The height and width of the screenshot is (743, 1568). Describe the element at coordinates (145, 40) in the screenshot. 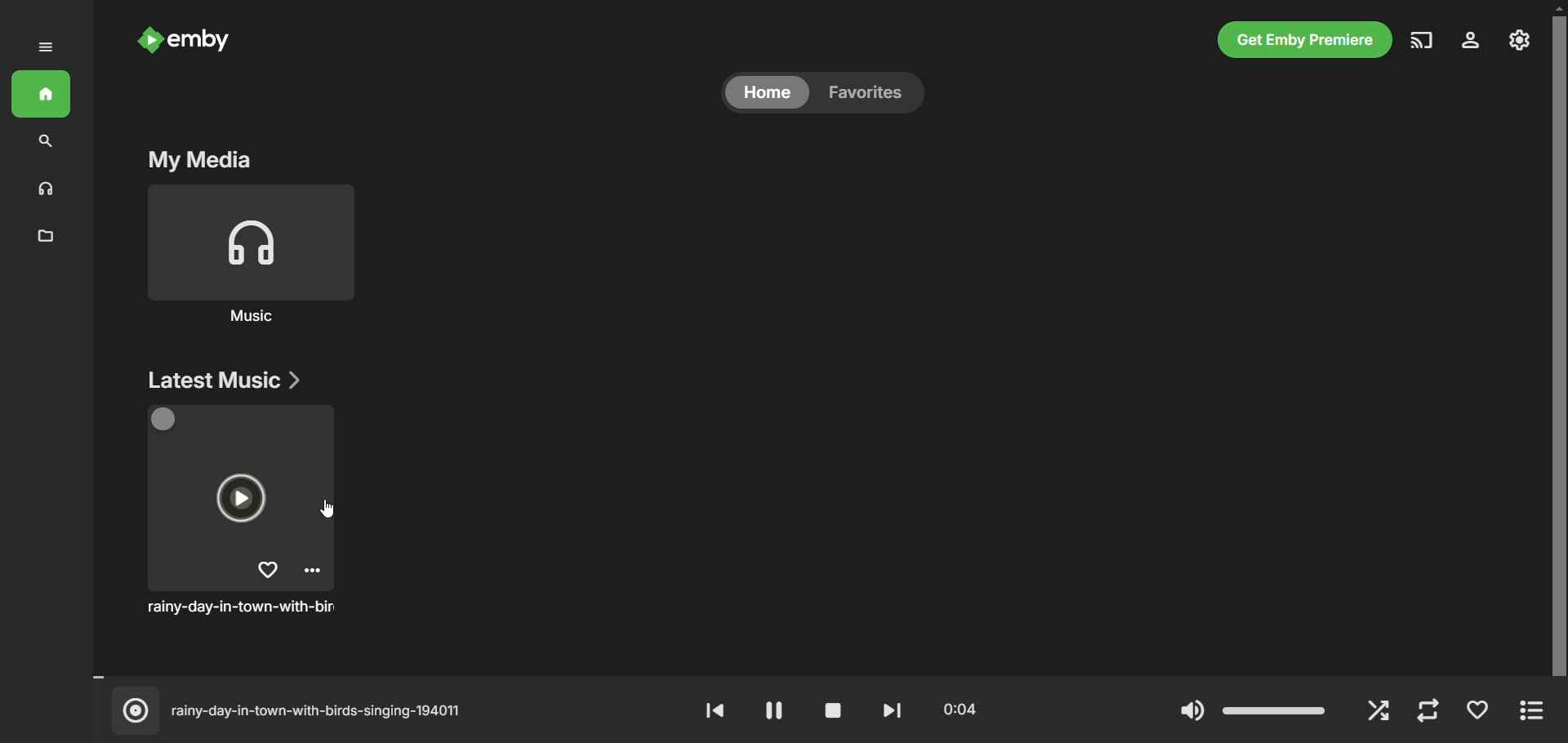

I see `logo` at that location.